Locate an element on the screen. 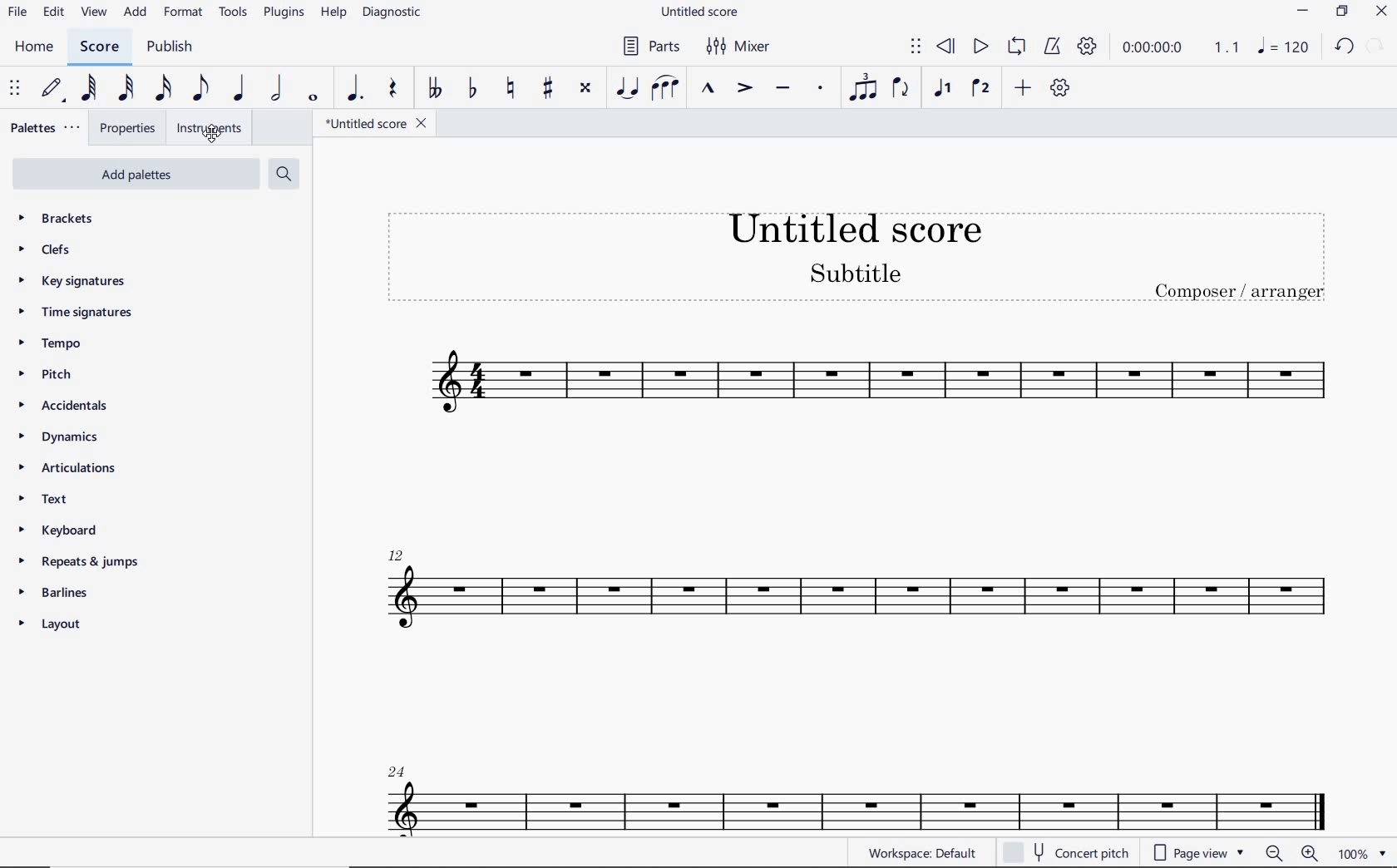 The width and height of the screenshot is (1397, 868). restore down is located at coordinates (1341, 12).